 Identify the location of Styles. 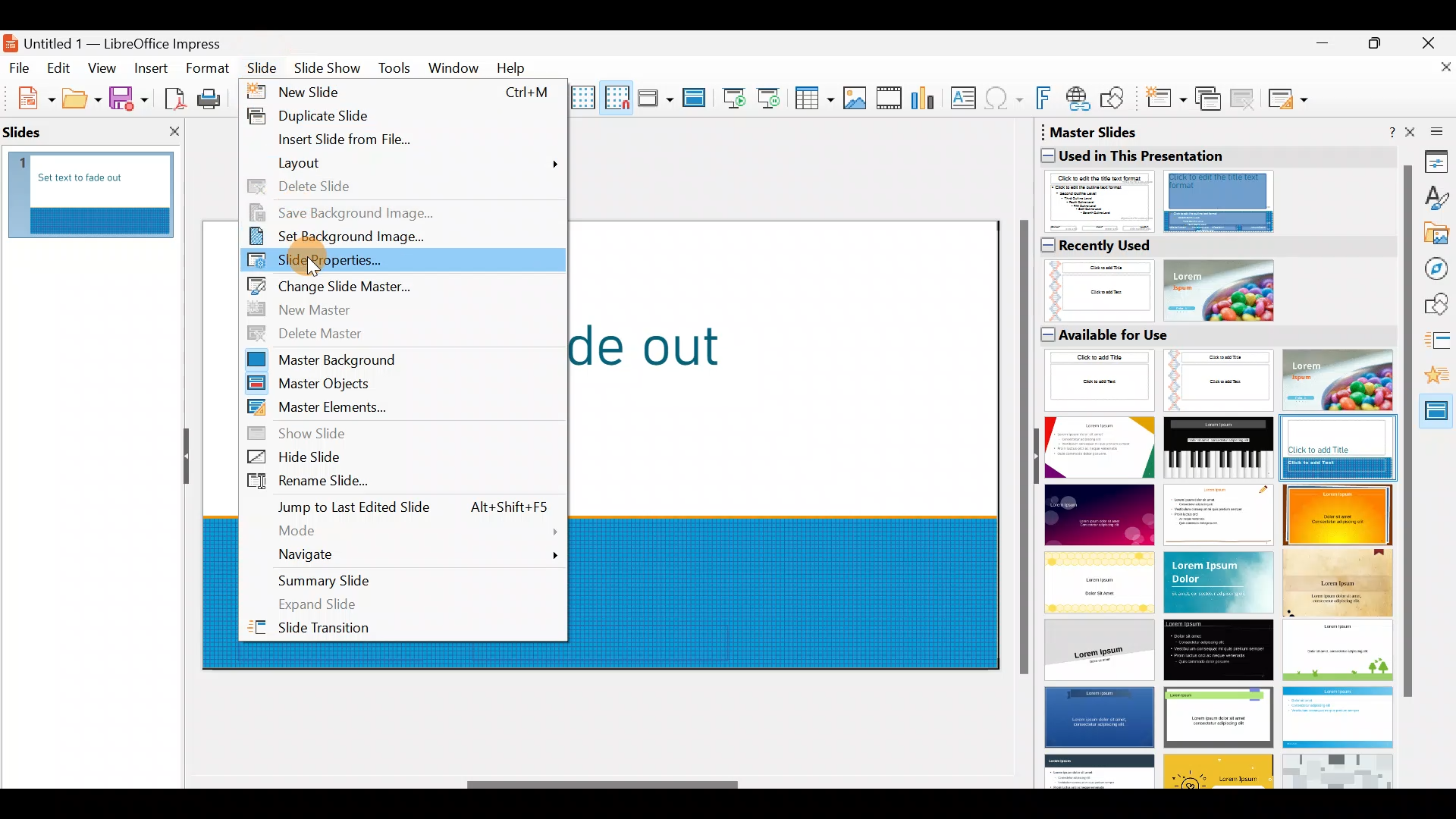
(1437, 200).